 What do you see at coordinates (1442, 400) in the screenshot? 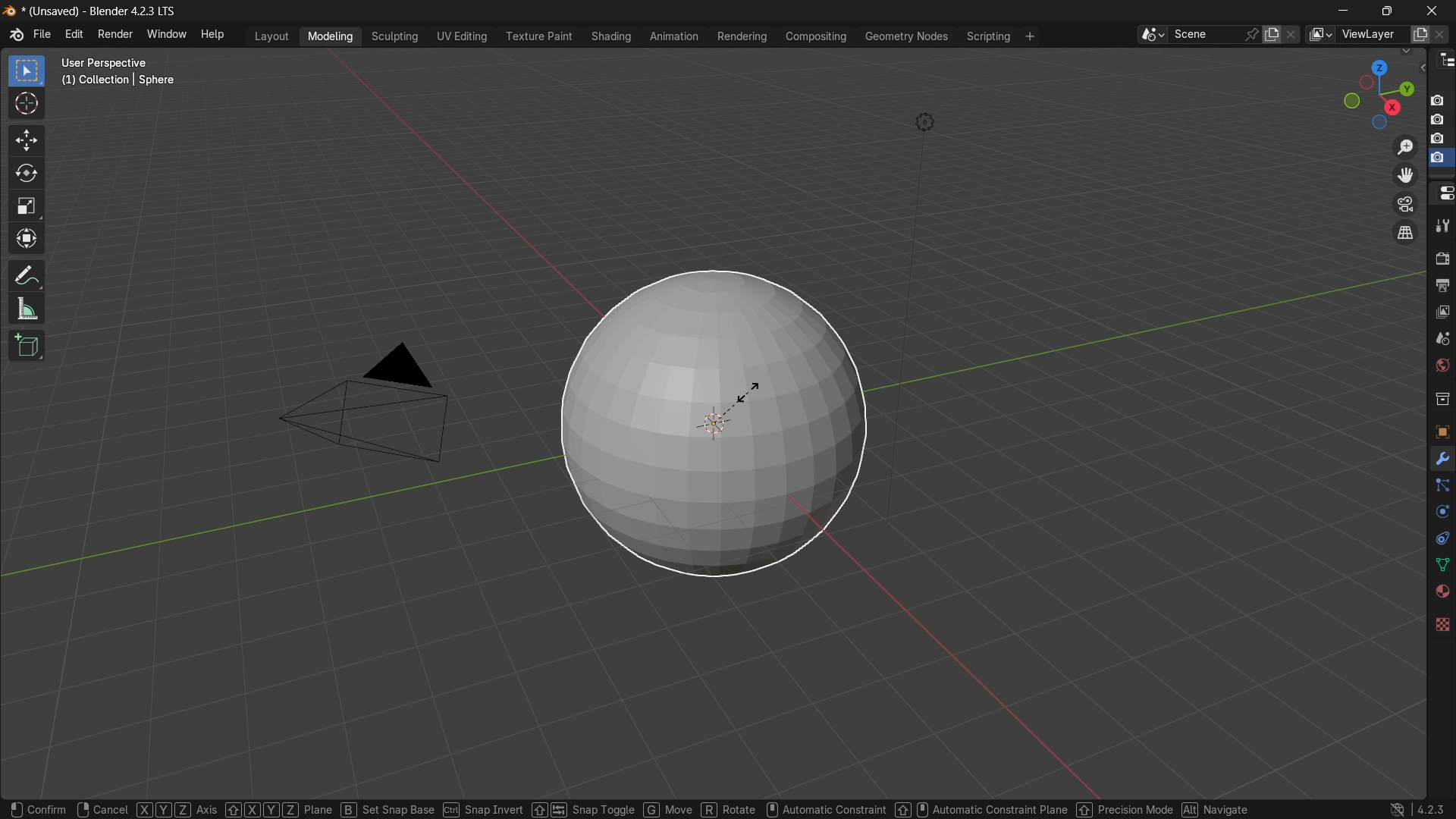
I see `collections` at bounding box center [1442, 400].